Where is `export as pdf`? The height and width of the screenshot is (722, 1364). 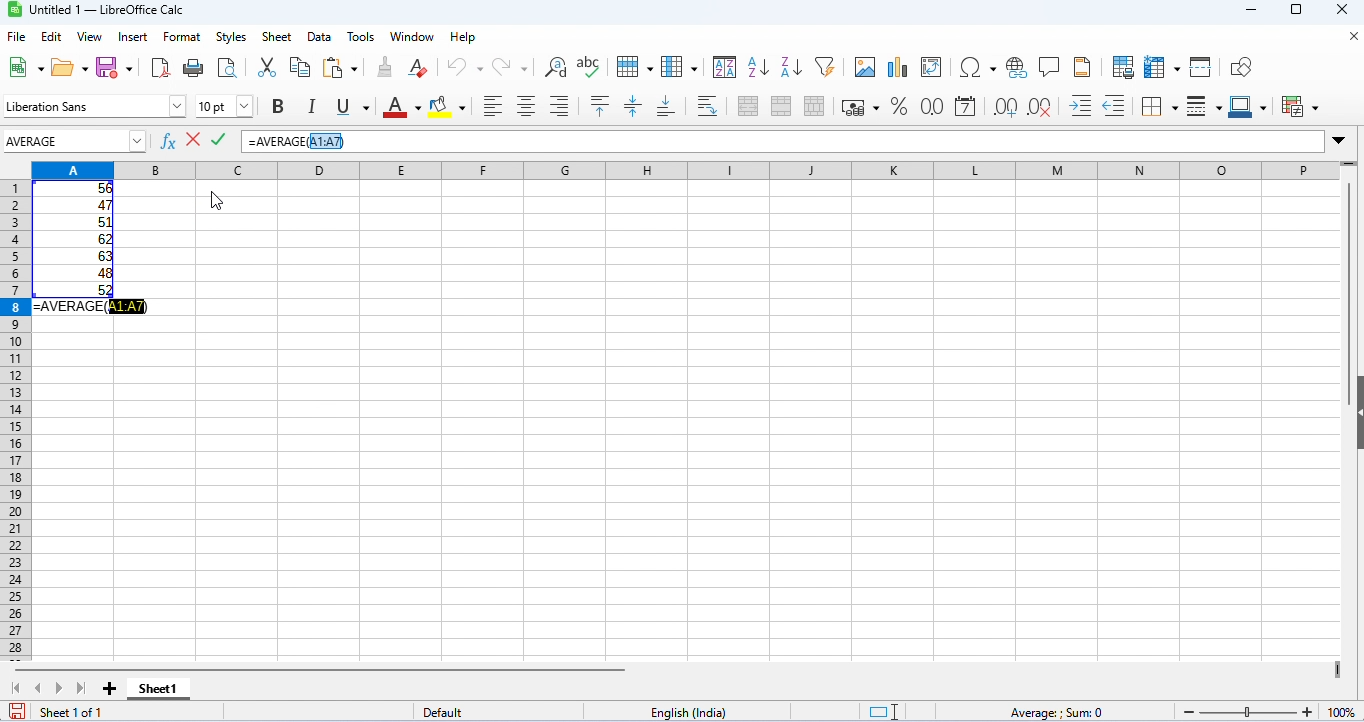
export as pdf is located at coordinates (160, 68).